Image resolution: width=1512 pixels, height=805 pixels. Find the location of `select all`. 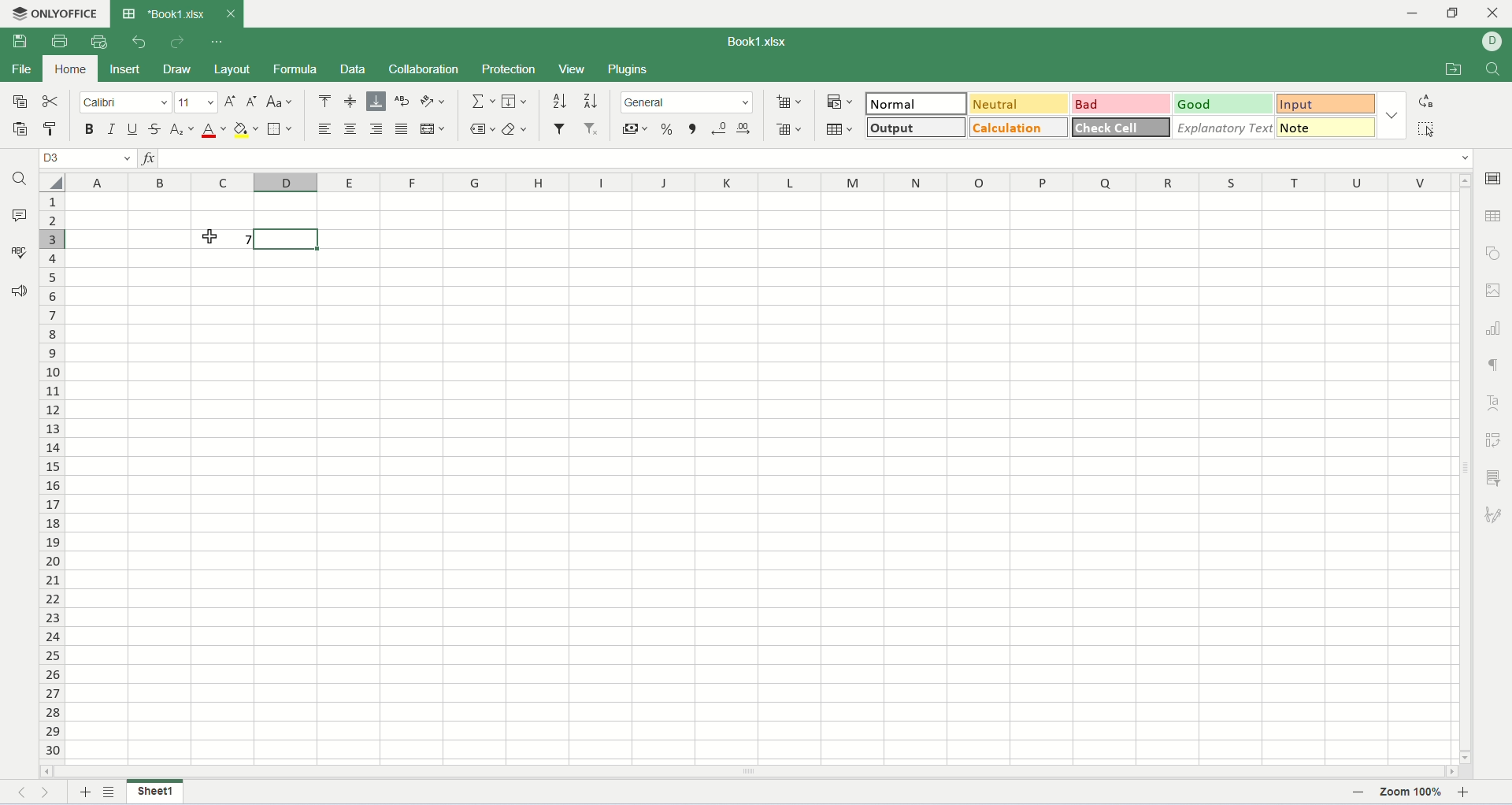

select all is located at coordinates (1429, 128).